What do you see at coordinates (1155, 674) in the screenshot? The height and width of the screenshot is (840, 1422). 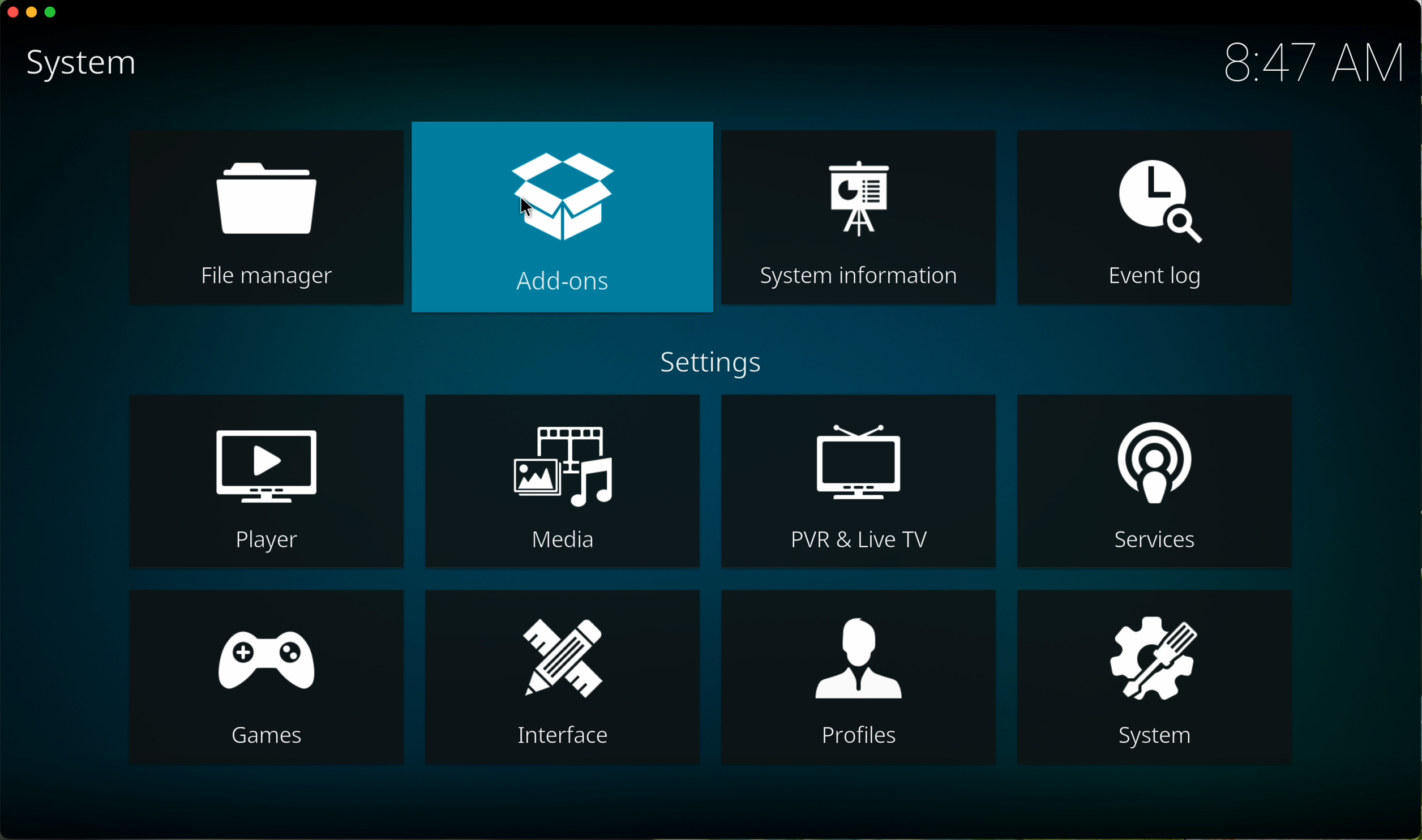 I see `system` at bounding box center [1155, 674].